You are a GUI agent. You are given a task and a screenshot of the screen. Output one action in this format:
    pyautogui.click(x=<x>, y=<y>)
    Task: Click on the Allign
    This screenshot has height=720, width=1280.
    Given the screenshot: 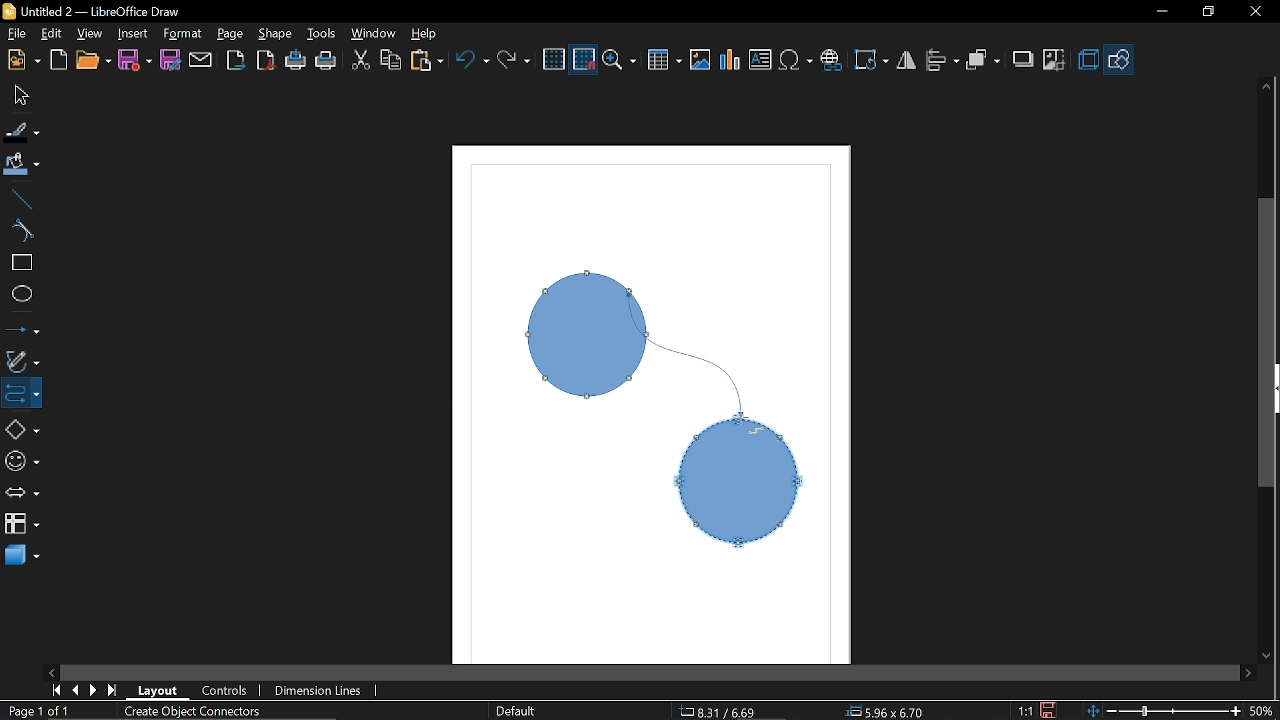 What is the action you would take?
    pyautogui.click(x=942, y=62)
    